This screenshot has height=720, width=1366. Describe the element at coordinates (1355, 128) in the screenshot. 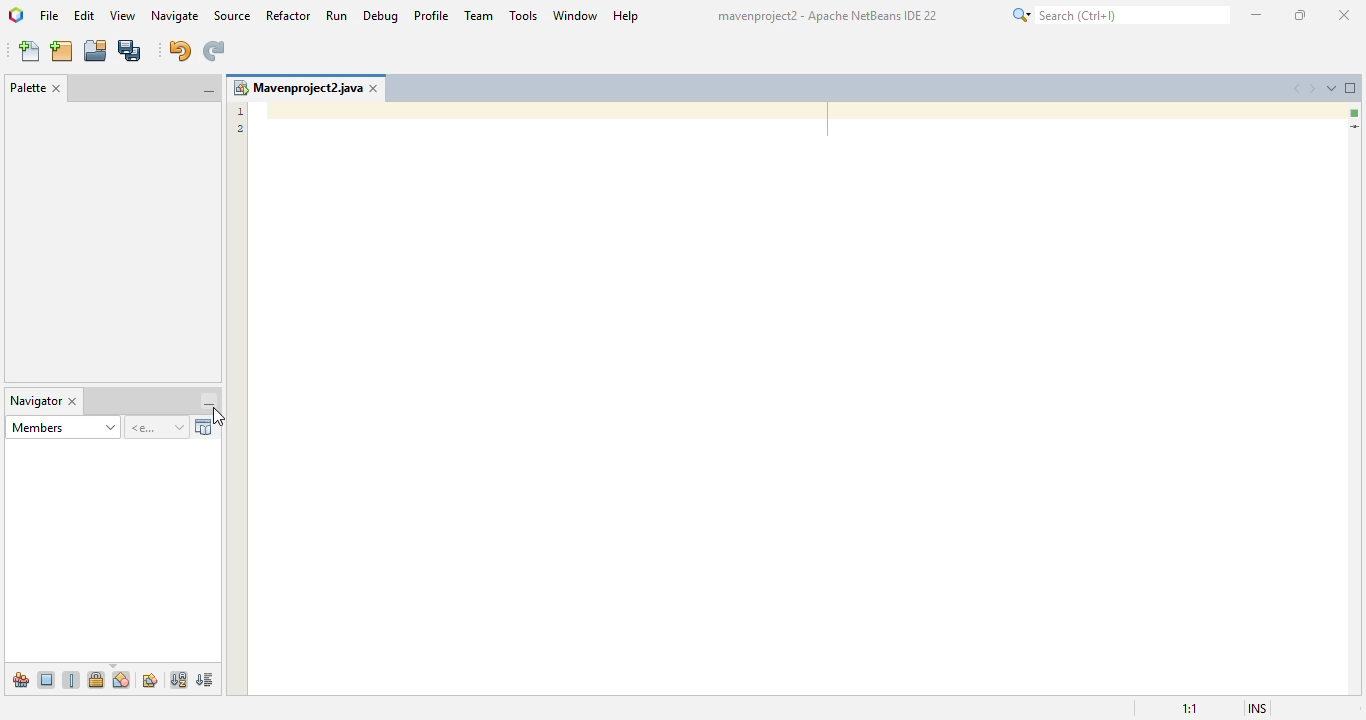

I see `current line` at that location.